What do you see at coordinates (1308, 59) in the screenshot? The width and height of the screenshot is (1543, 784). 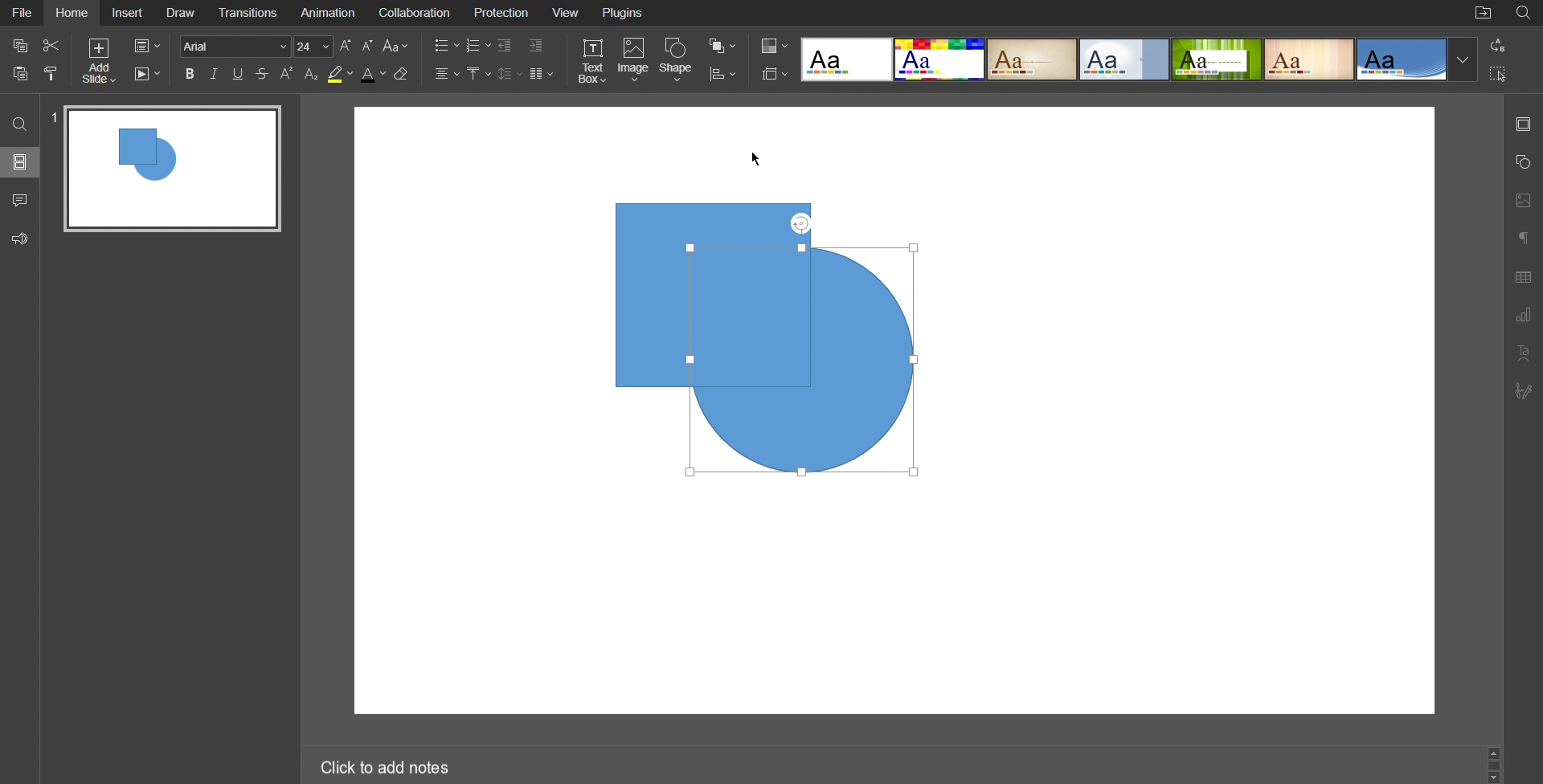 I see `Lines` at bounding box center [1308, 59].